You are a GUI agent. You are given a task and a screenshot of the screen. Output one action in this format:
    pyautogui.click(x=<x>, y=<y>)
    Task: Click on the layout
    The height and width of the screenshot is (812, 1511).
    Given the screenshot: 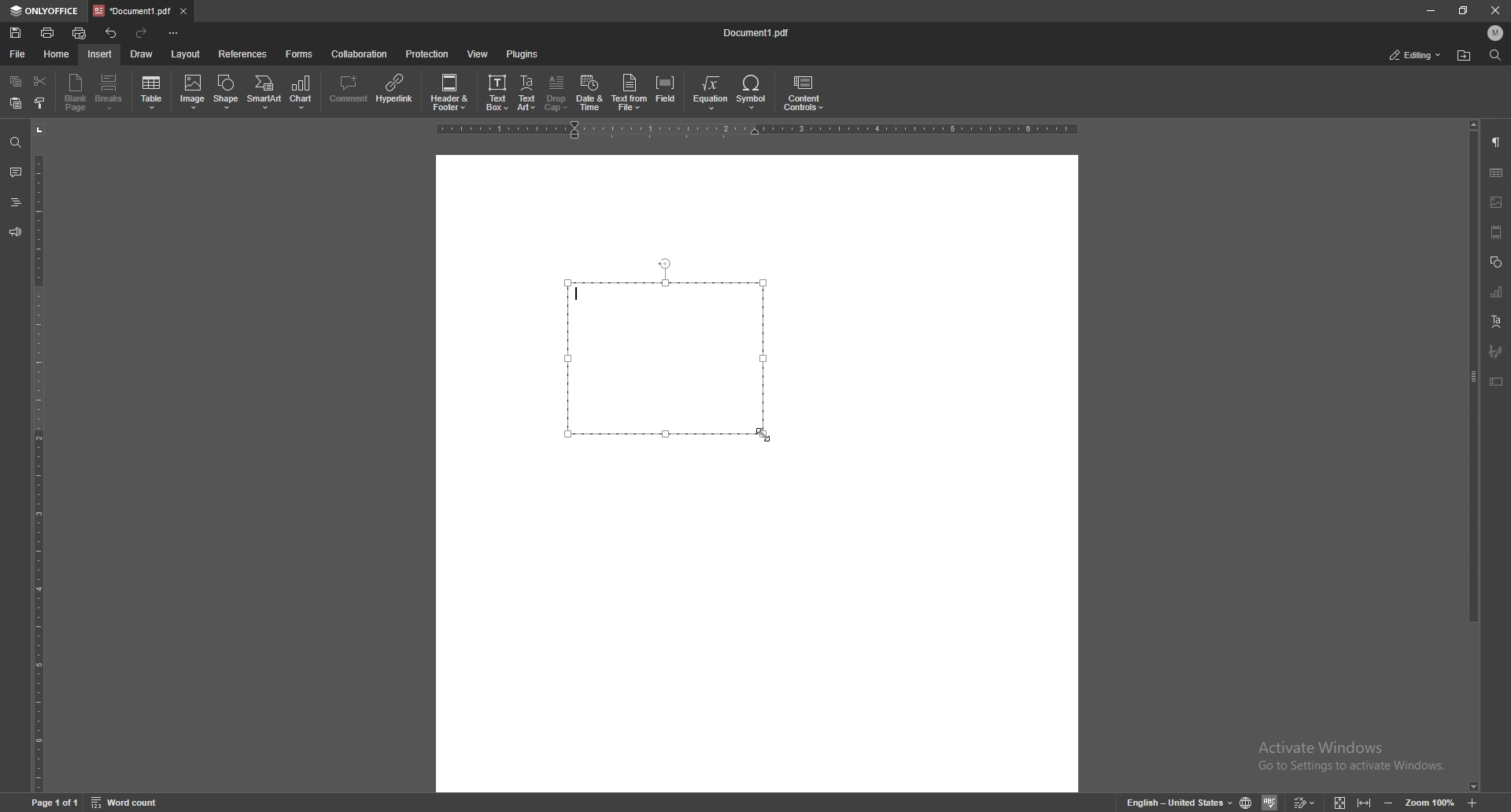 What is the action you would take?
    pyautogui.click(x=187, y=55)
    